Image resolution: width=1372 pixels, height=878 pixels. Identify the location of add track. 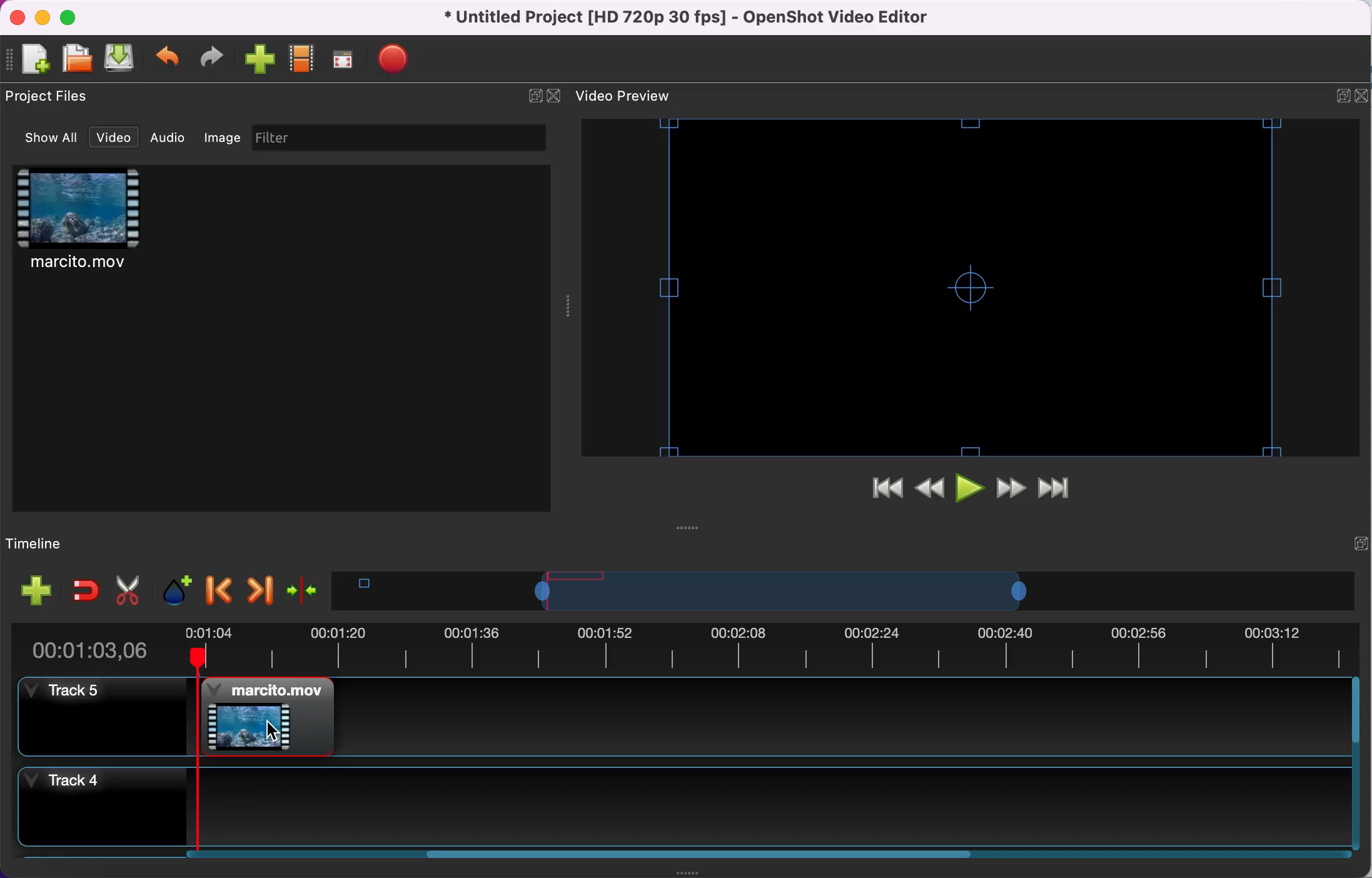
(33, 593).